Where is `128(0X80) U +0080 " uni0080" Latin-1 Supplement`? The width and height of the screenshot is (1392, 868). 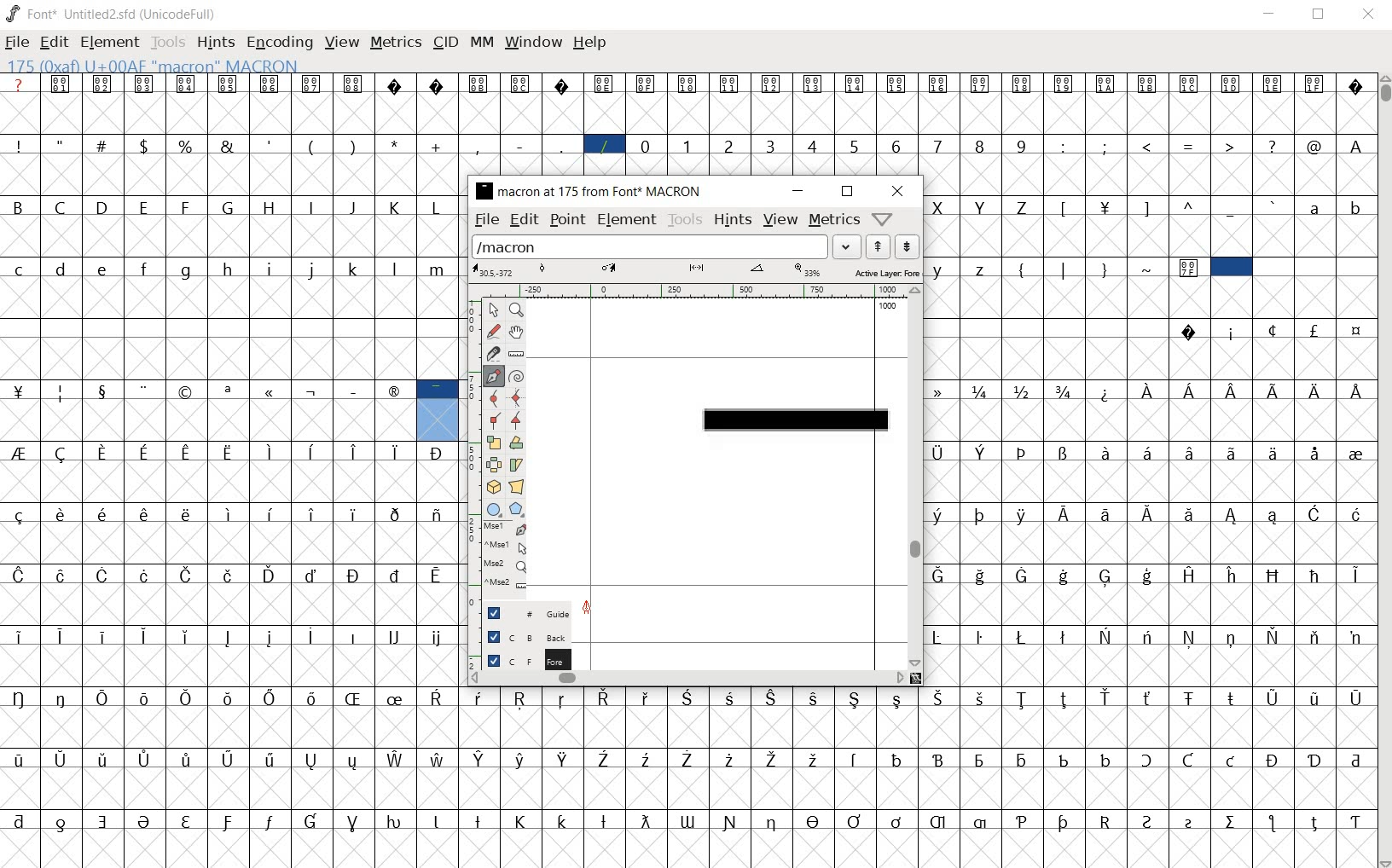
128(0X80) U +0080 " uni0080" Latin-1 Supplement is located at coordinates (192, 64).